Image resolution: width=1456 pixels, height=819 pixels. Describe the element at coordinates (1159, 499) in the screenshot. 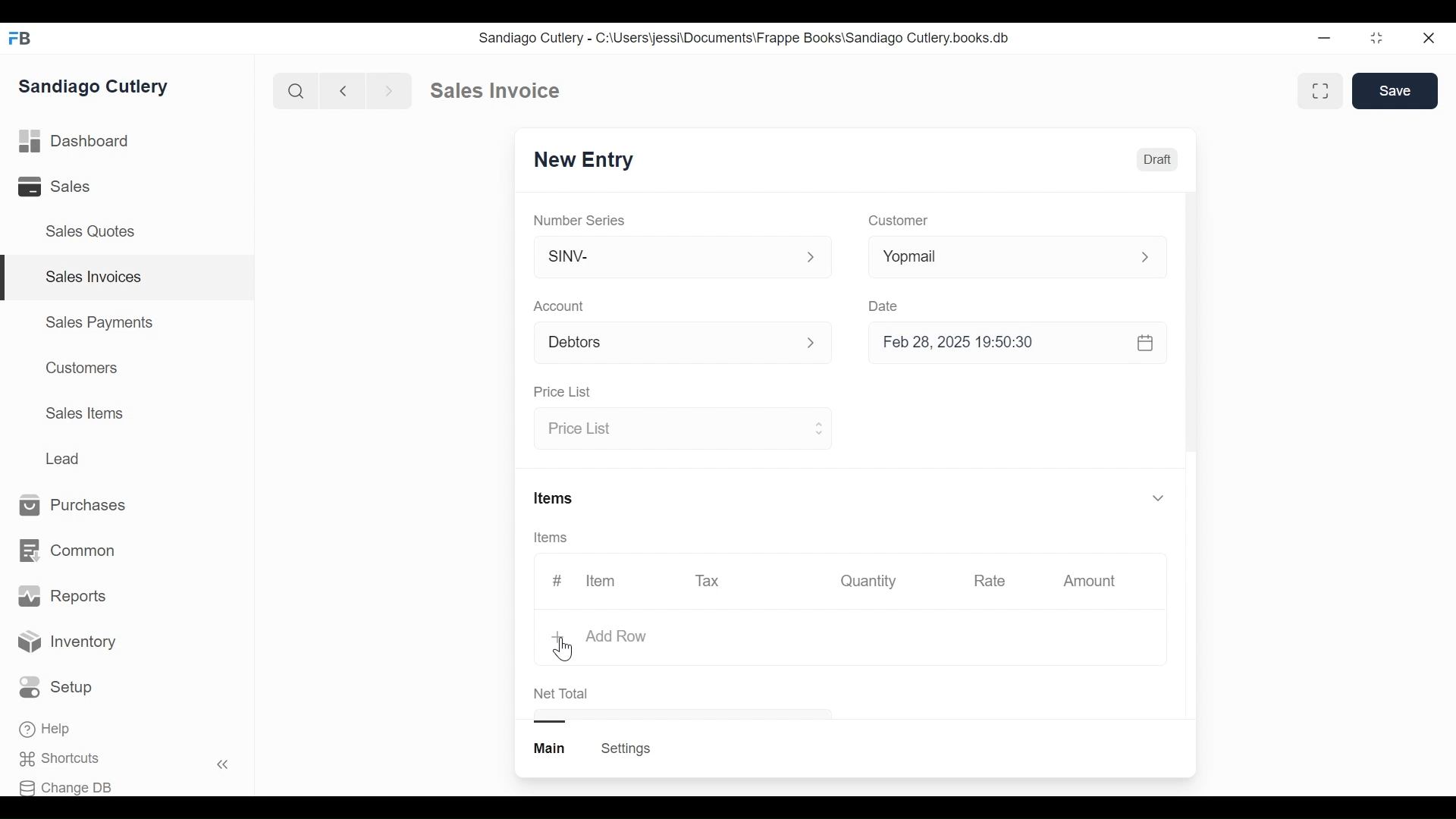

I see `v` at that location.